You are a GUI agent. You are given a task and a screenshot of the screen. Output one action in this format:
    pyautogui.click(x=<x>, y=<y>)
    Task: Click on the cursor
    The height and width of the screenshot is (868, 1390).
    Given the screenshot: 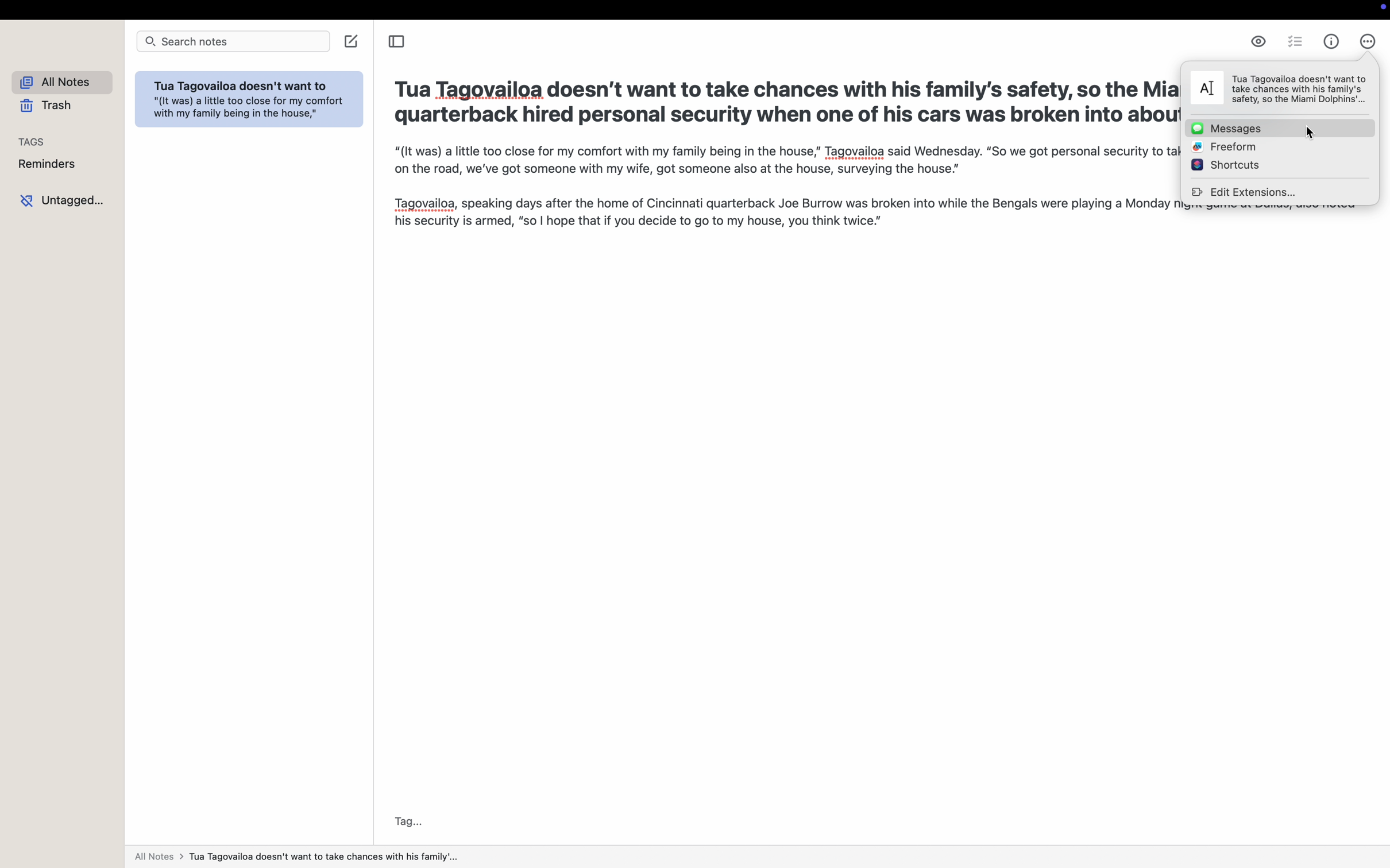 What is the action you would take?
    pyautogui.click(x=1310, y=133)
    